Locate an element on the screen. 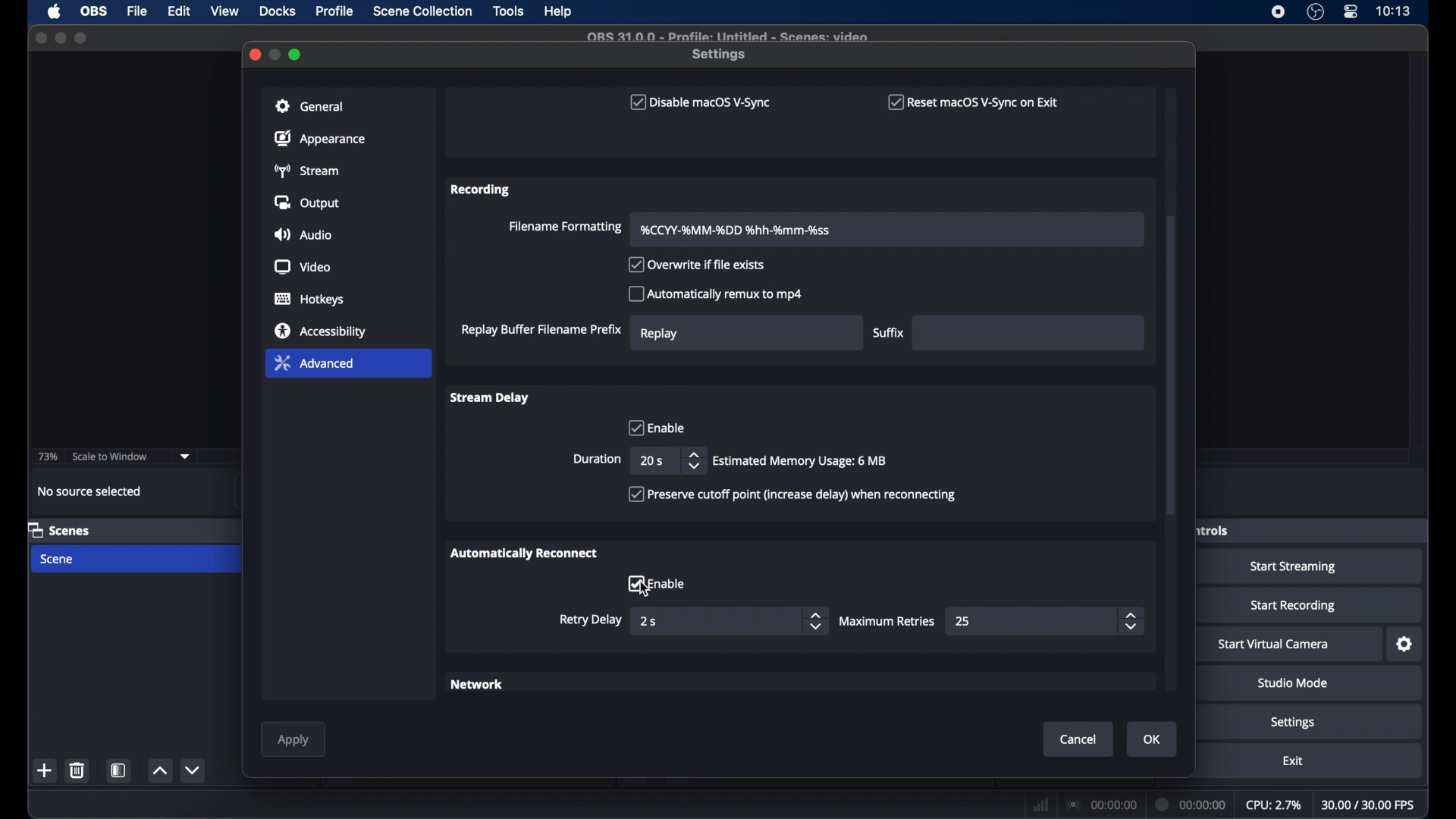 This screenshot has width=1456, height=819. stepper buttons is located at coordinates (693, 460).